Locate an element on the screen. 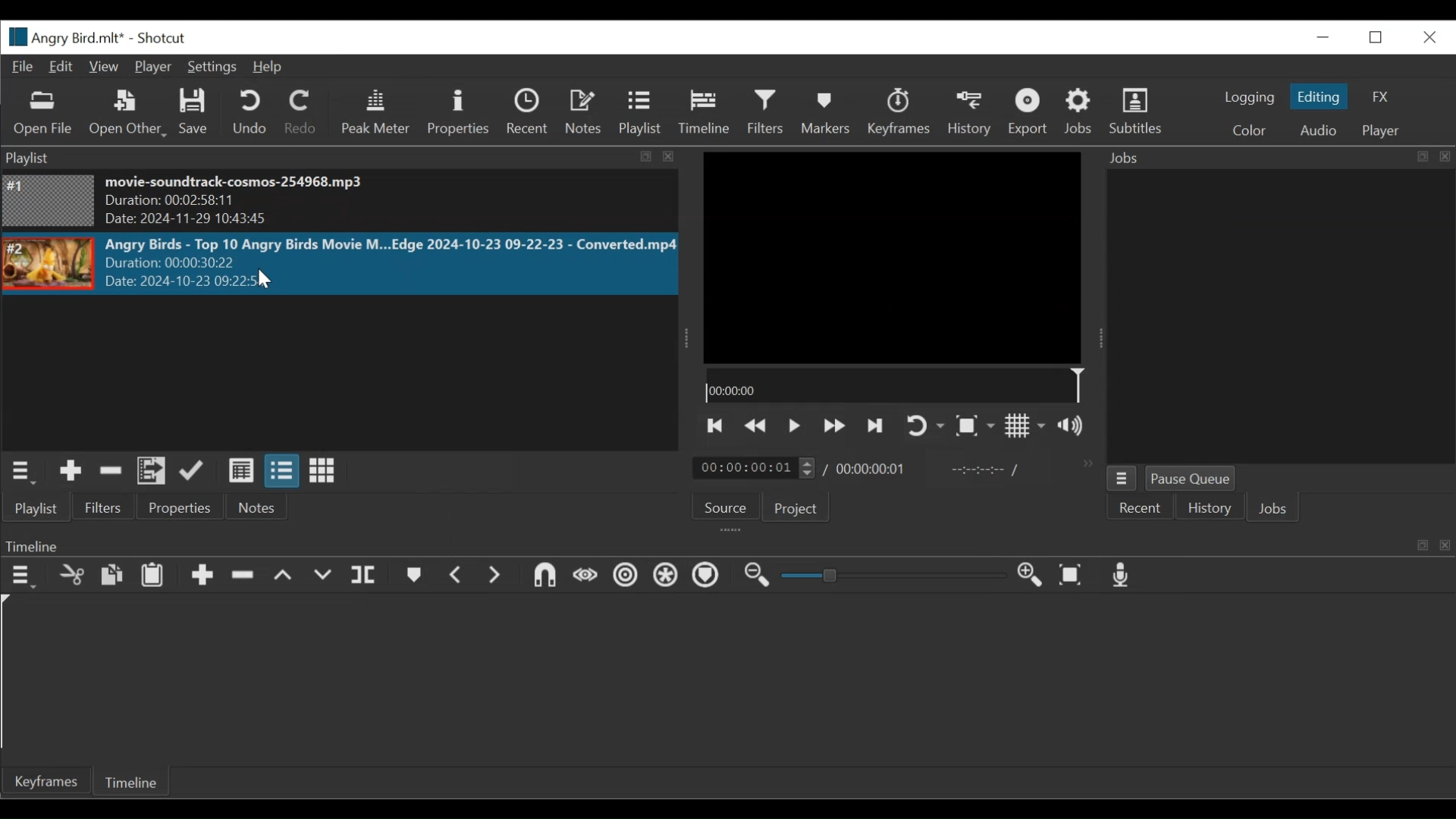 Image resolution: width=1456 pixels, height=819 pixels. Filters is located at coordinates (110, 507).